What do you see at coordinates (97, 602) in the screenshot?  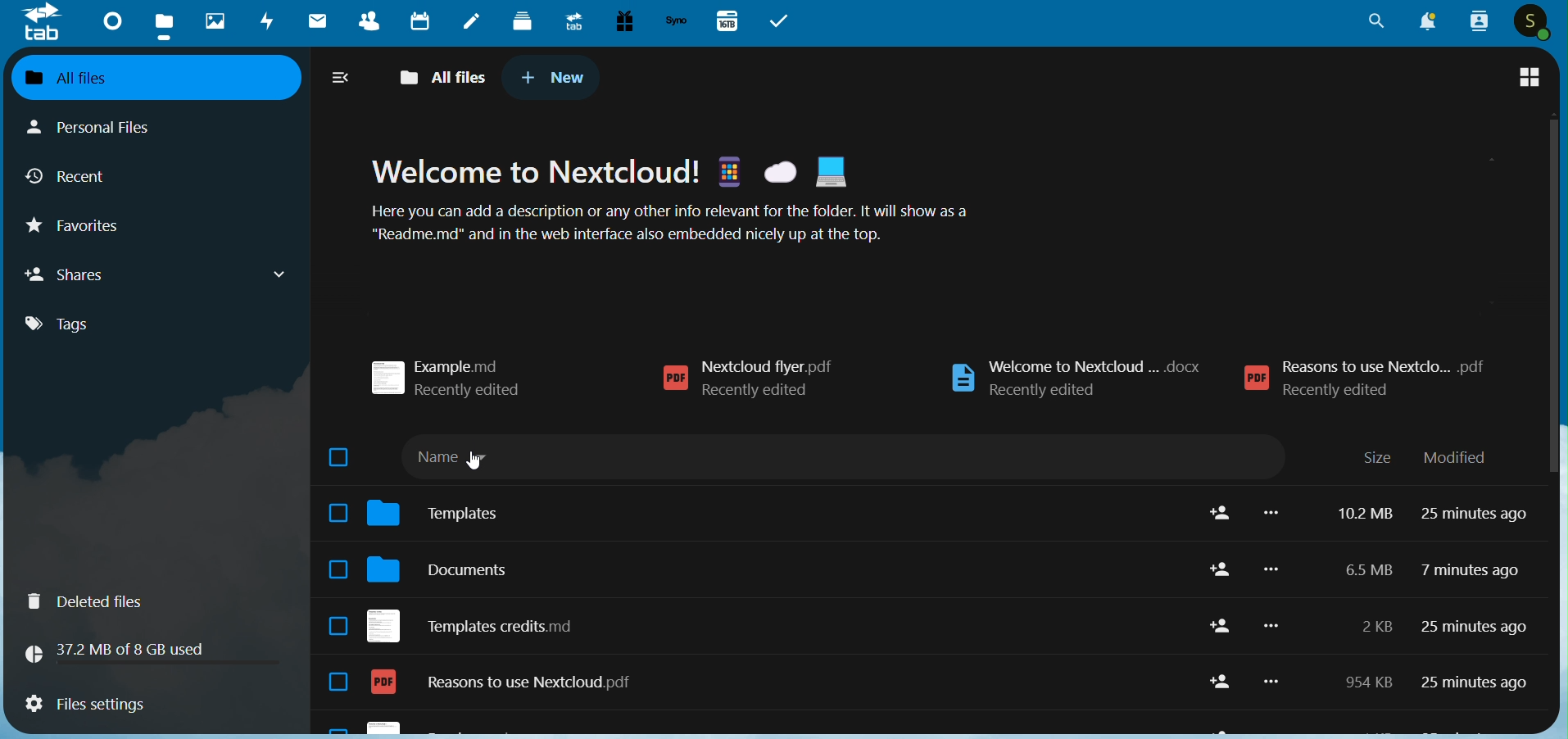 I see `Deleted Files` at bounding box center [97, 602].